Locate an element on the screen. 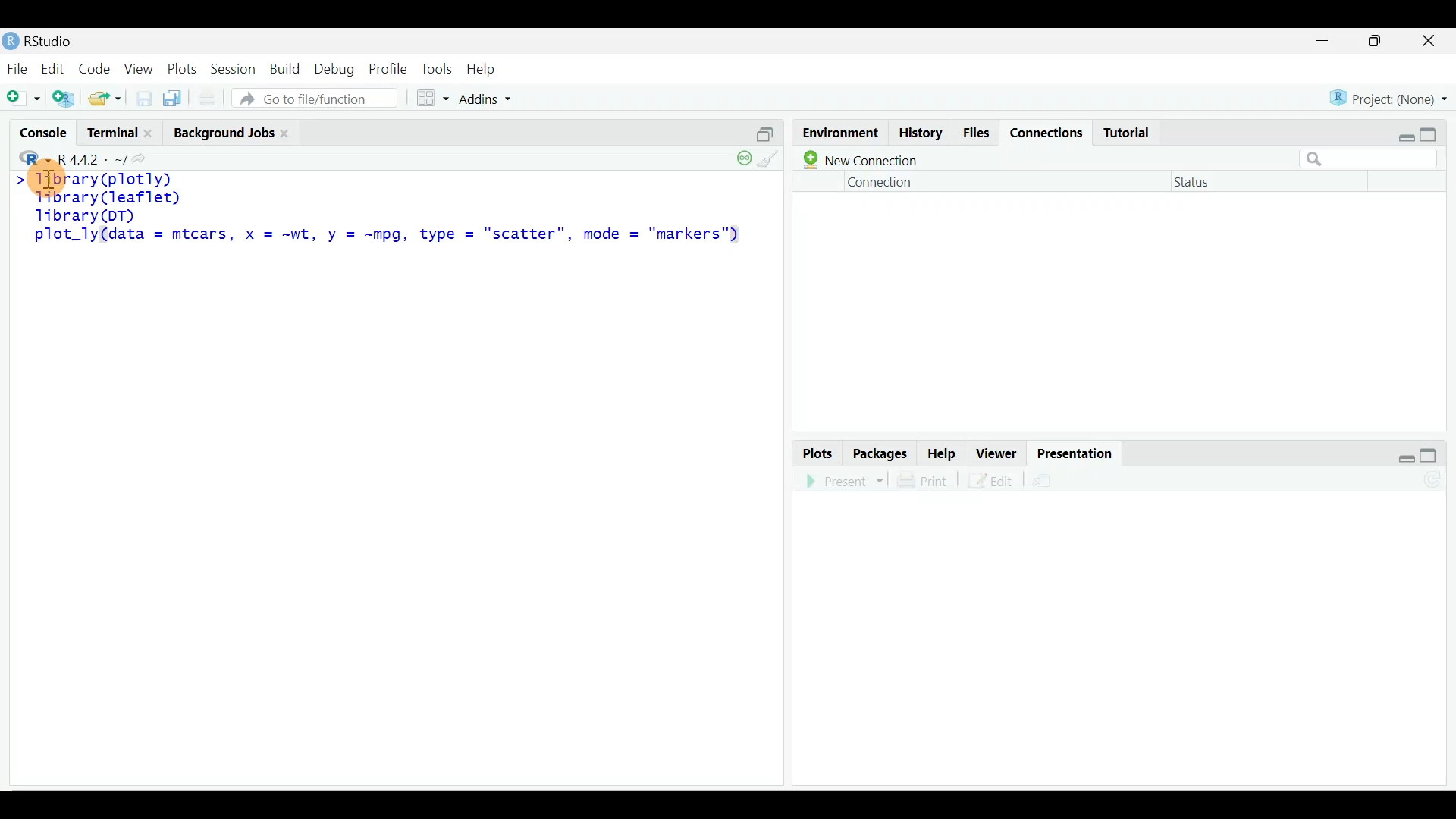 The width and height of the screenshot is (1456, 819). minimize is located at coordinates (1329, 39).